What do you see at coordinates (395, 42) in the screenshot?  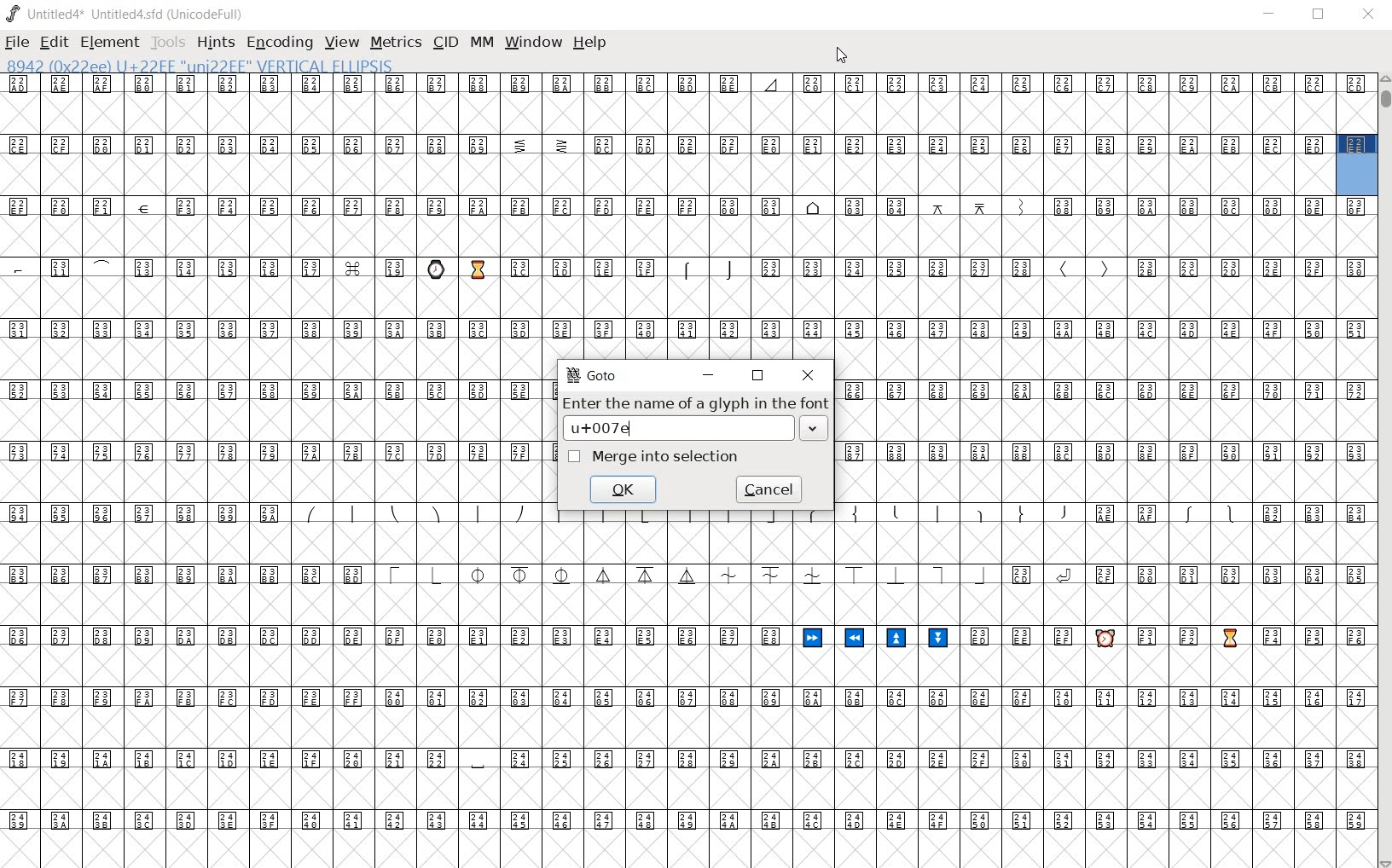 I see `METRICS` at bounding box center [395, 42].